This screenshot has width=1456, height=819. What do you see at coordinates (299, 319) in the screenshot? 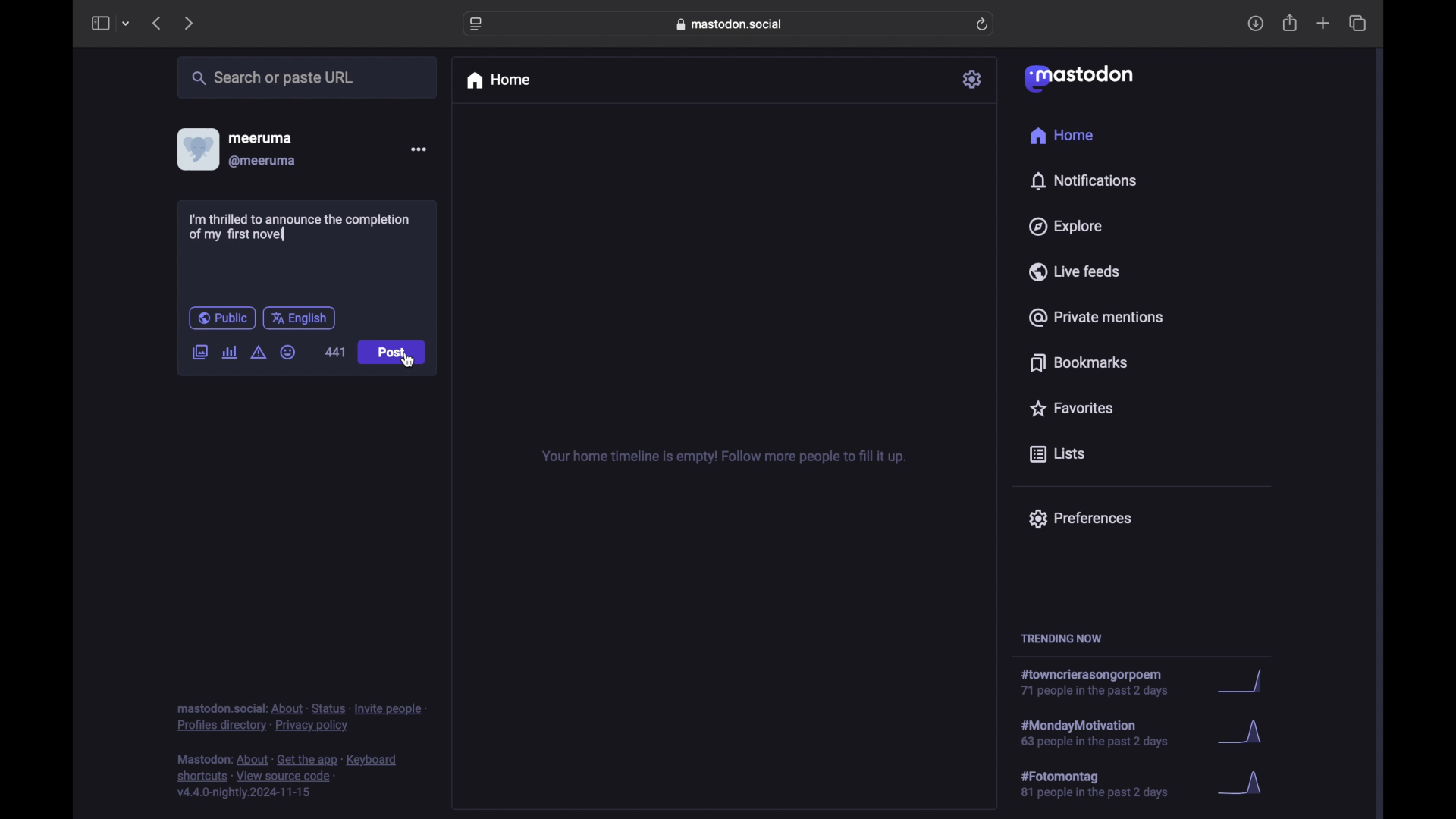
I see `english` at bounding box center [299, 319].